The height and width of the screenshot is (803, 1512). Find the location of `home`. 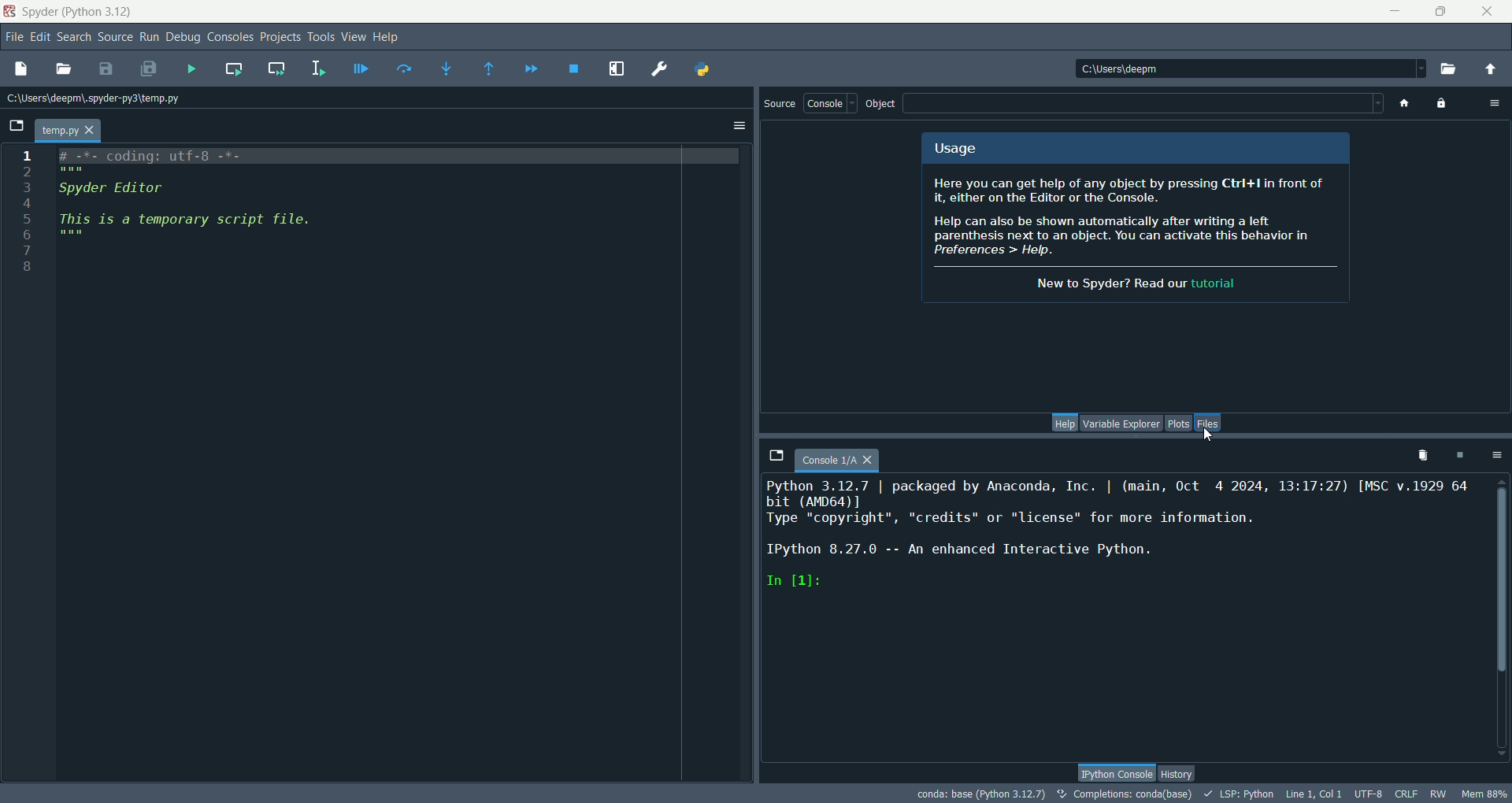

home is located at coordinates (1403, 105).